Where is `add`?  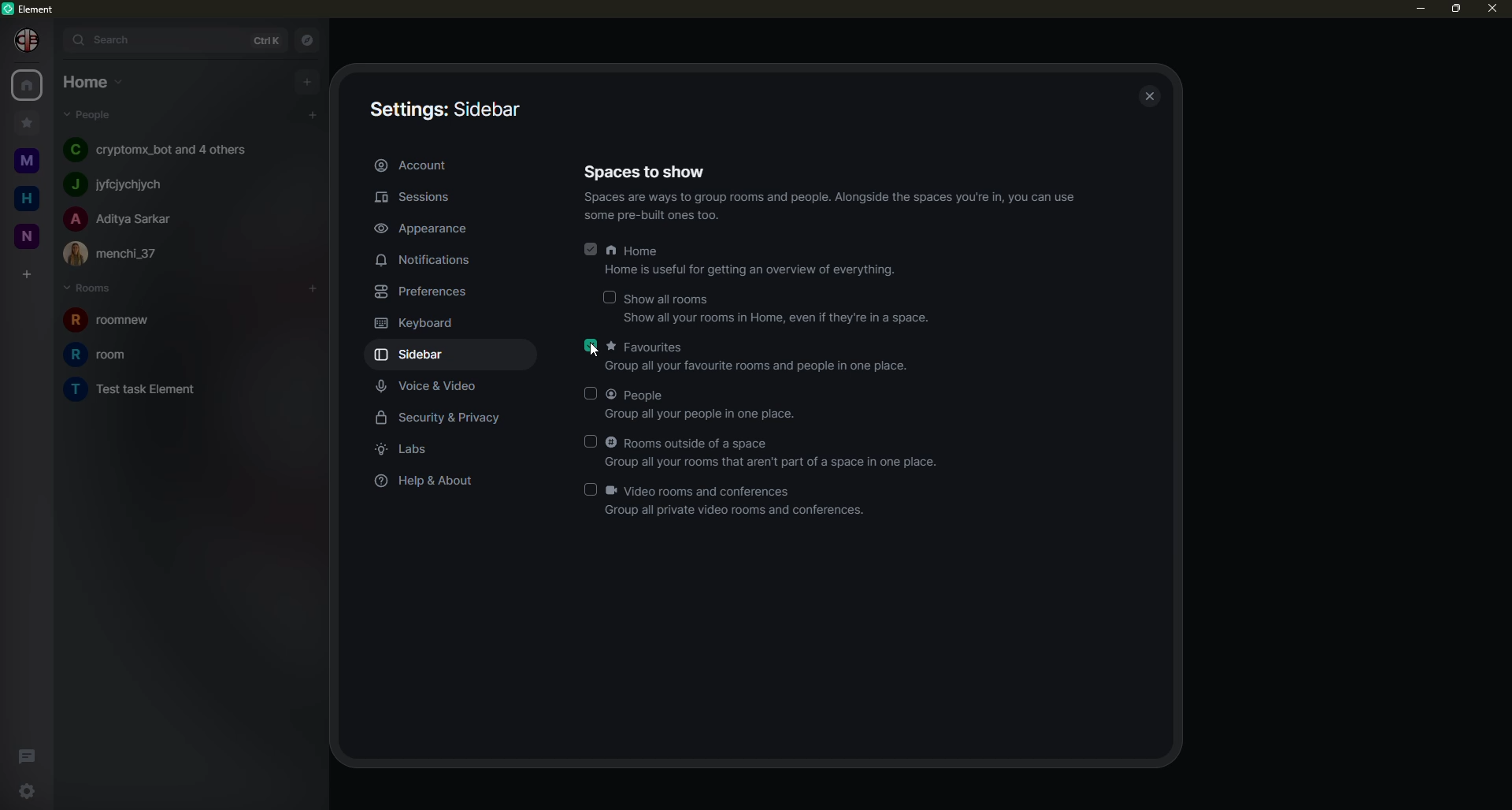 add is located at coordinates (307, 284).